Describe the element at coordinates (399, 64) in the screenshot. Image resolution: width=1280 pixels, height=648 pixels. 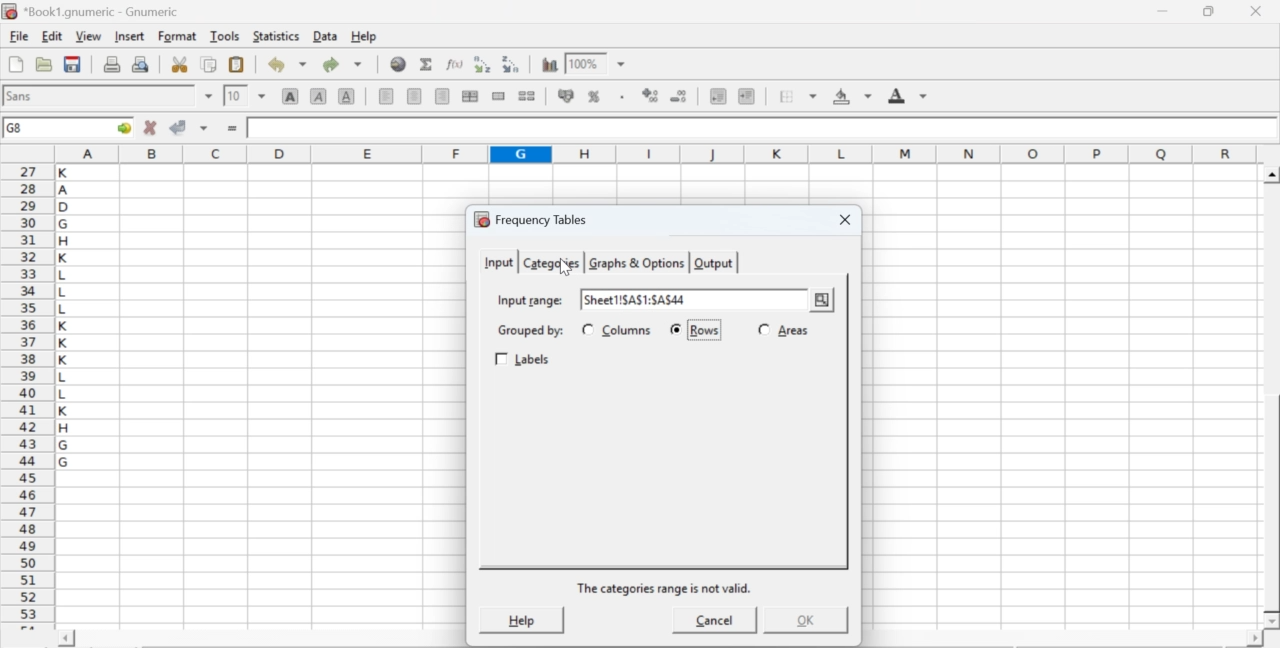
I see `insert hyperlink` at that location.